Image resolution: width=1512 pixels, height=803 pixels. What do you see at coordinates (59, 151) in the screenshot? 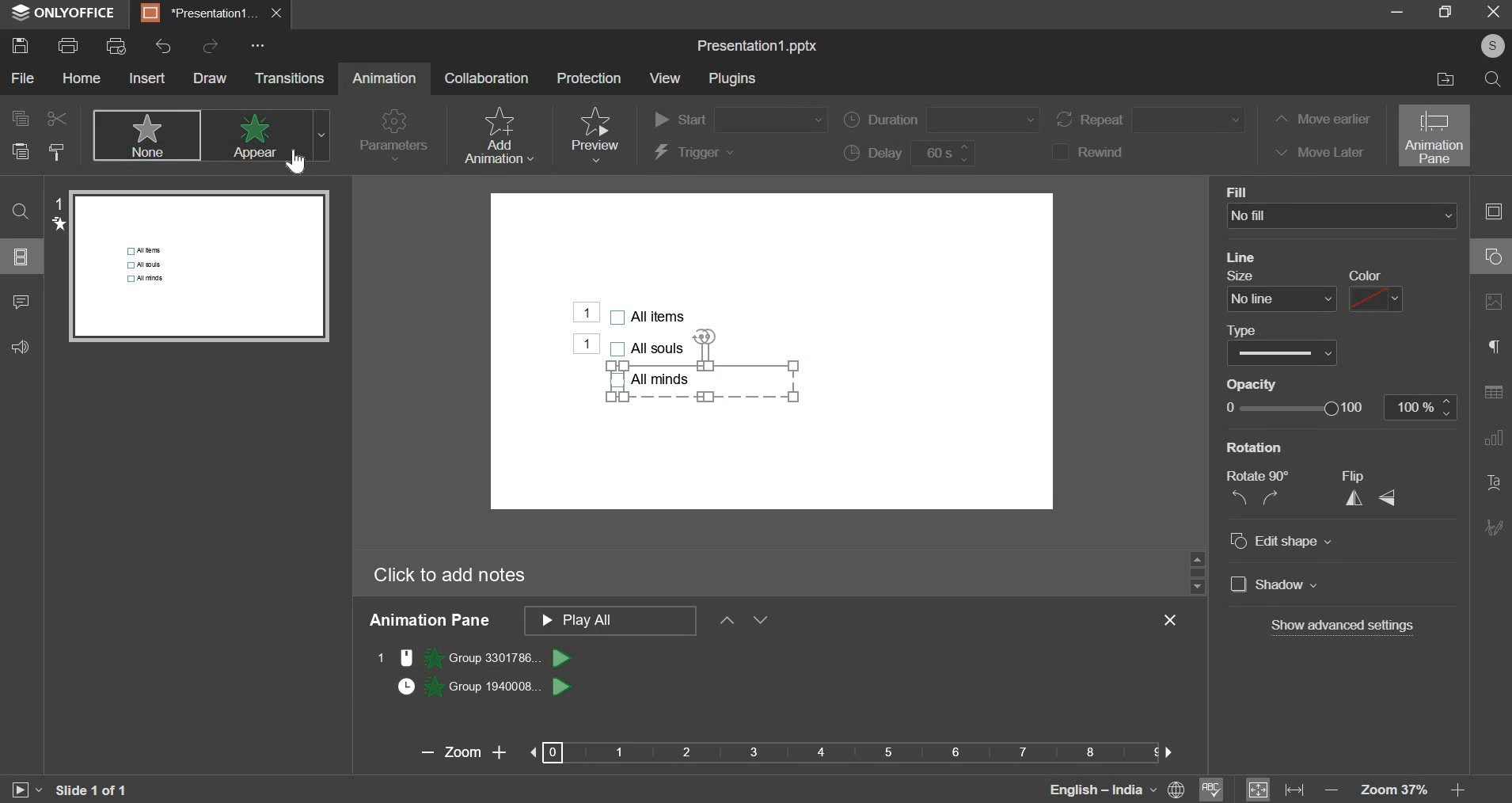
I see `copy style` at bounding box center [59, 151].